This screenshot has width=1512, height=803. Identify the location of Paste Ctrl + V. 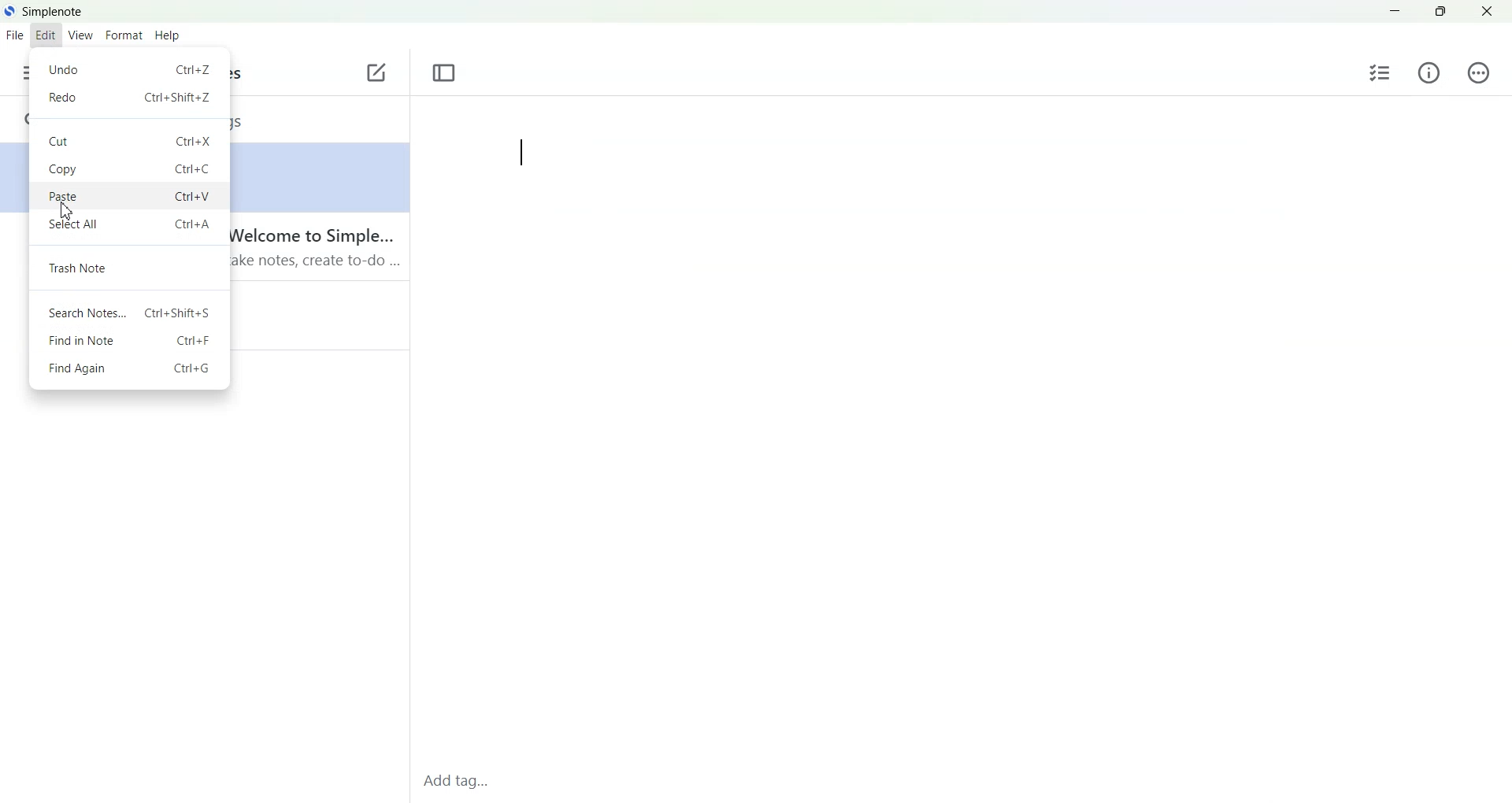
(129, 196).